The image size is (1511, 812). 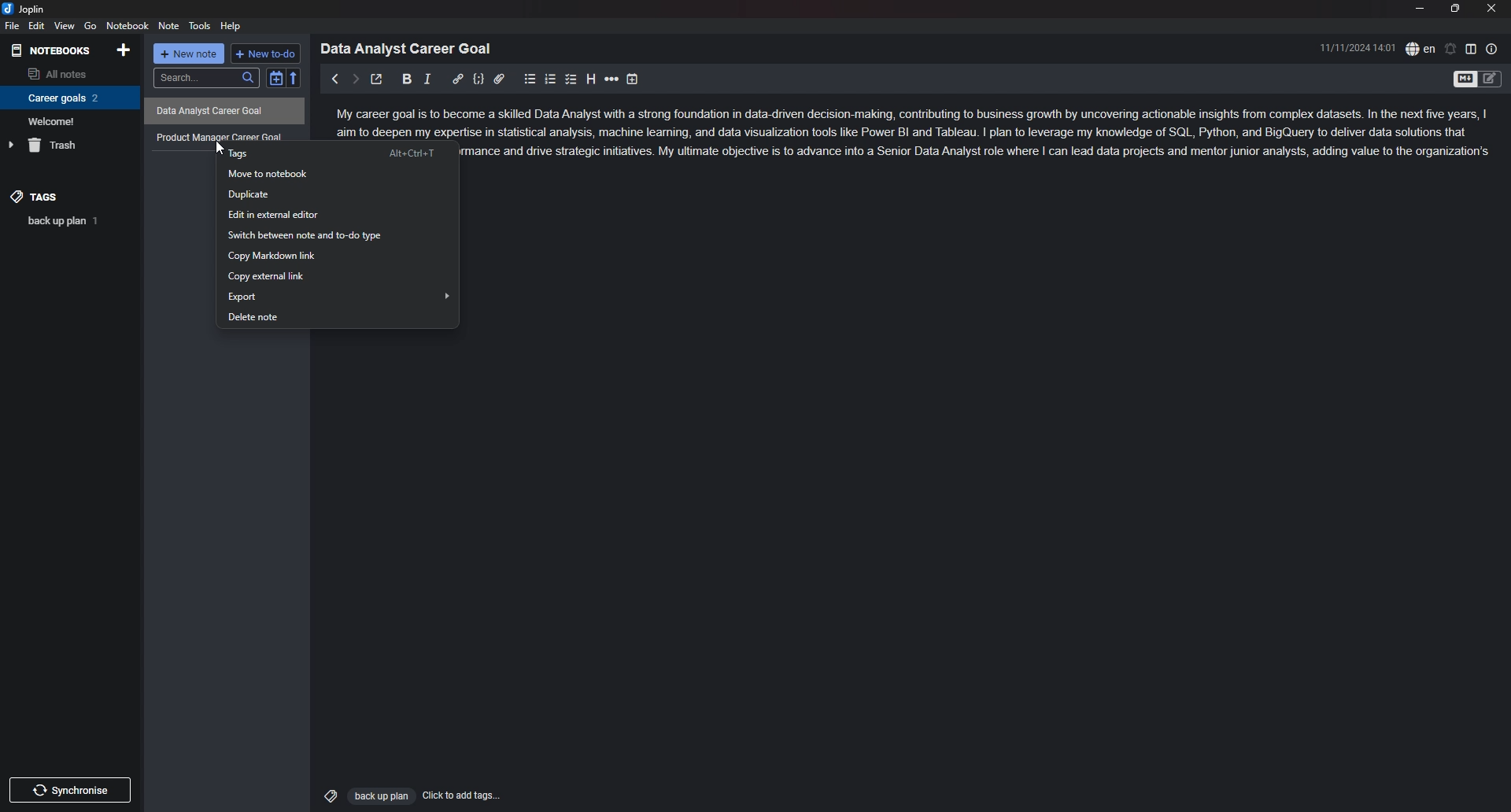 I want to click on Synchronize, so click(x=71, y=789).